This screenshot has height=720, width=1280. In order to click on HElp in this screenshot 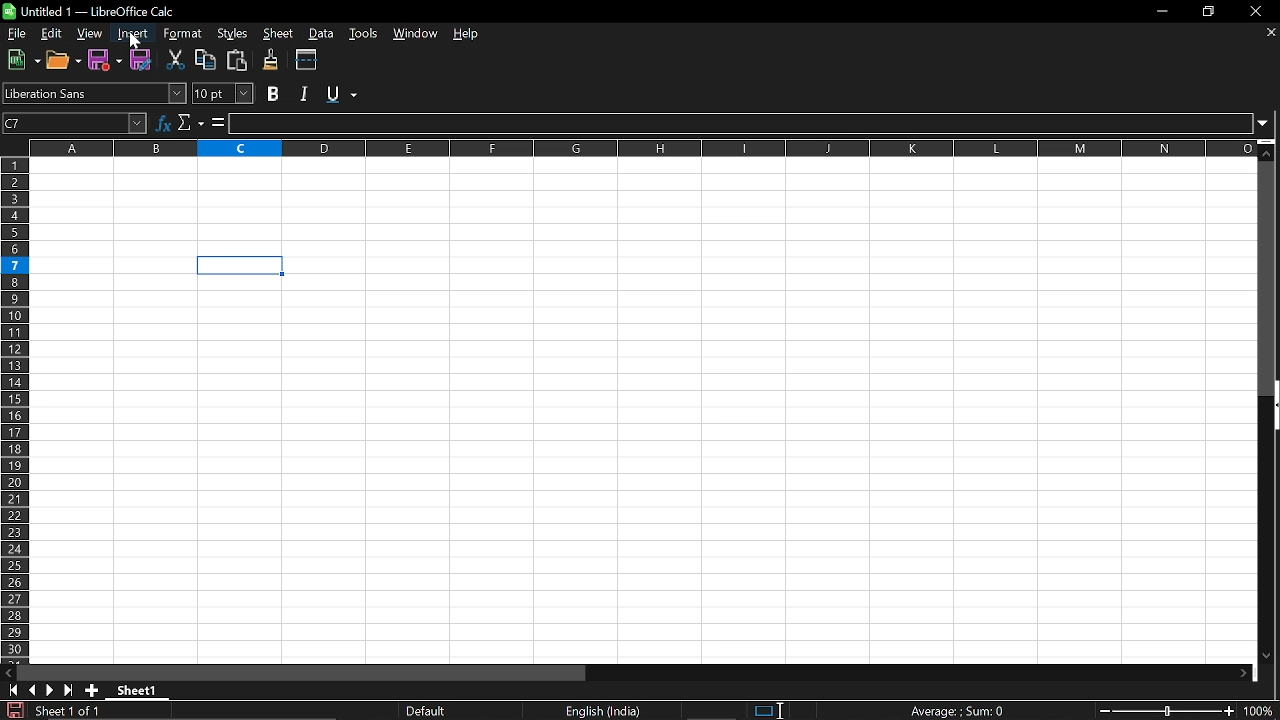, I will do `click(471, 35)`.